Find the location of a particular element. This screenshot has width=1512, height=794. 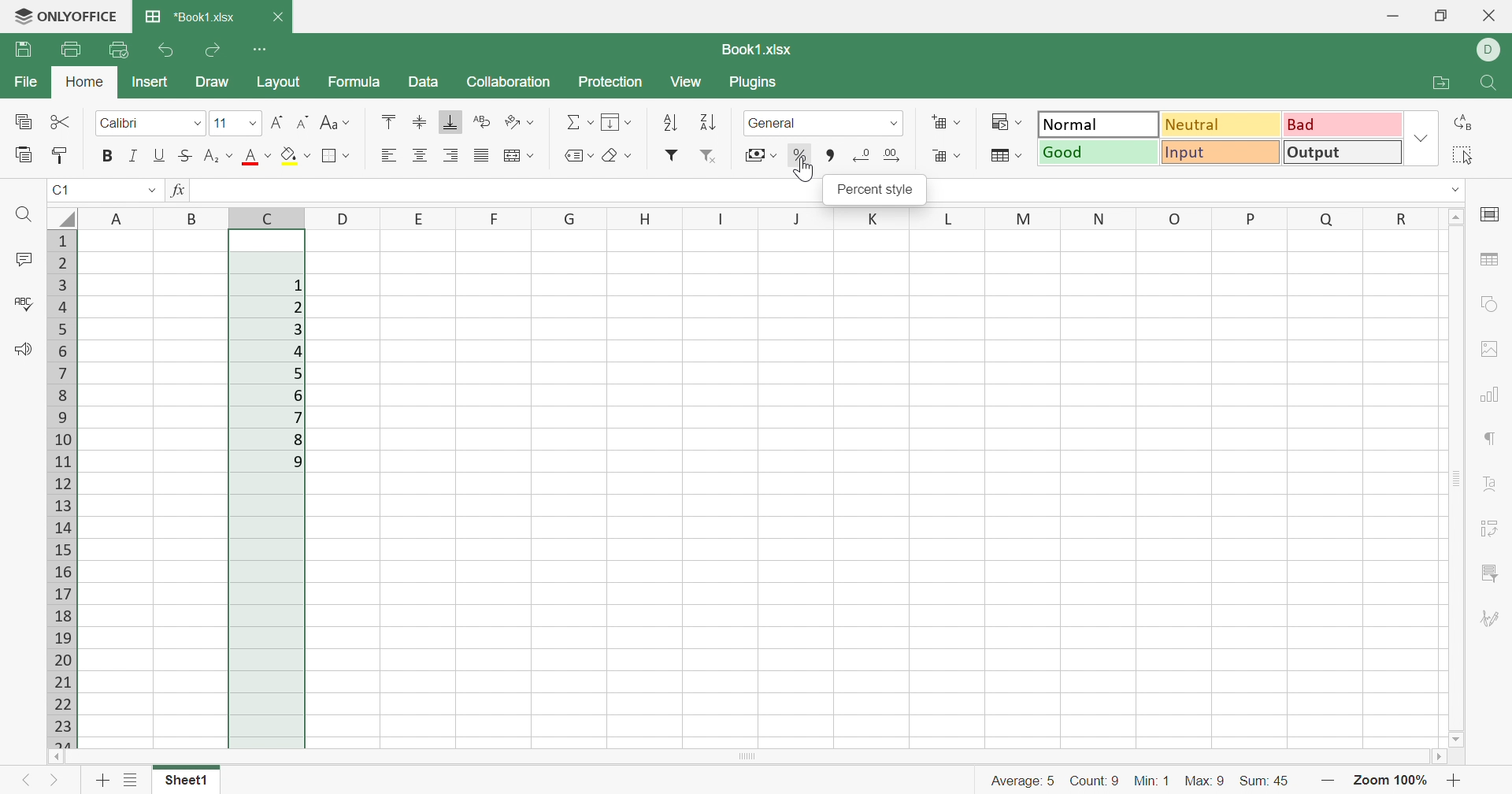

Count: 9 is located at coordinates (1096, 782).